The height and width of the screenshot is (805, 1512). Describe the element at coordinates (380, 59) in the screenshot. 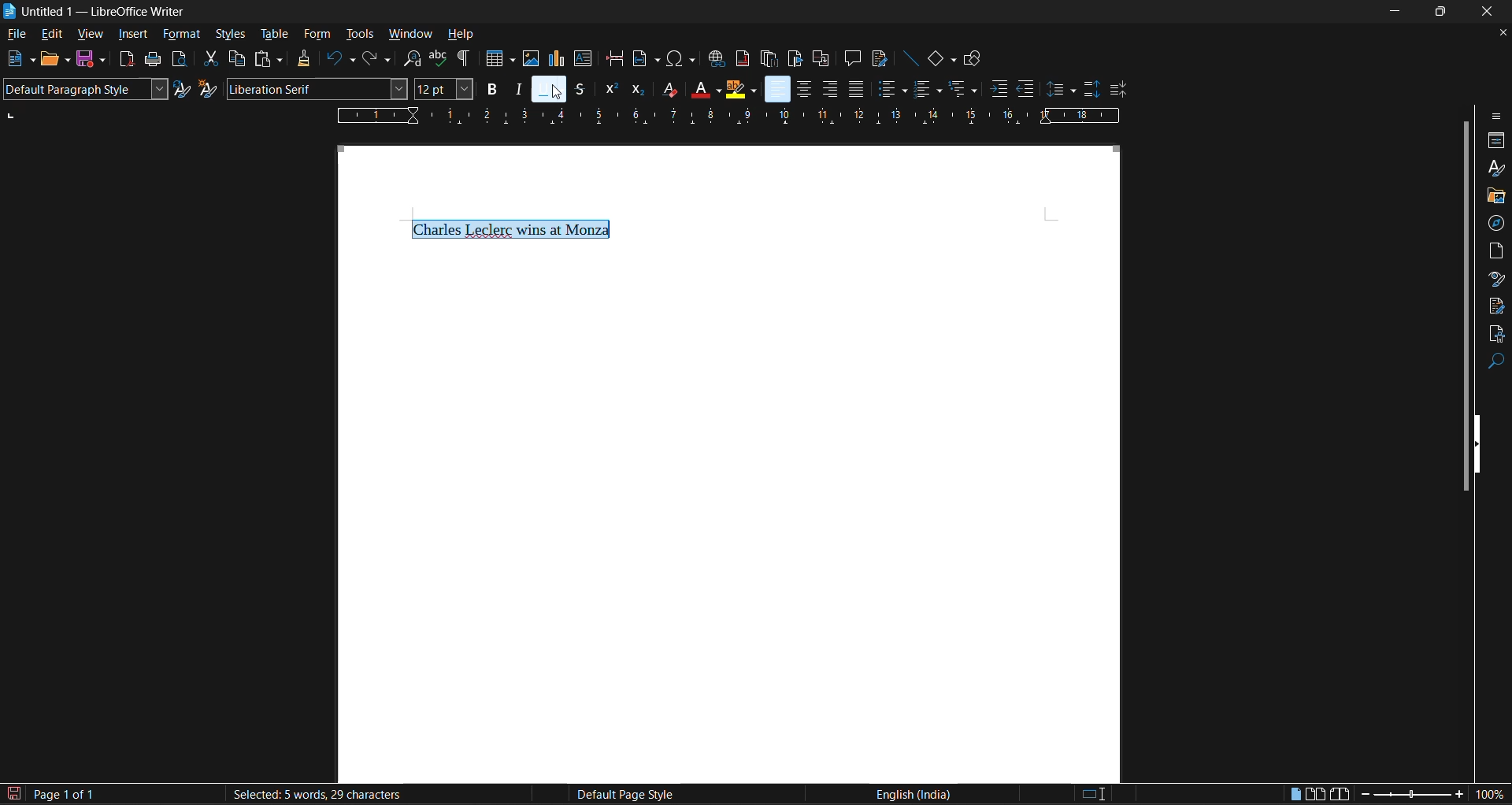

I see `redo` at that location.